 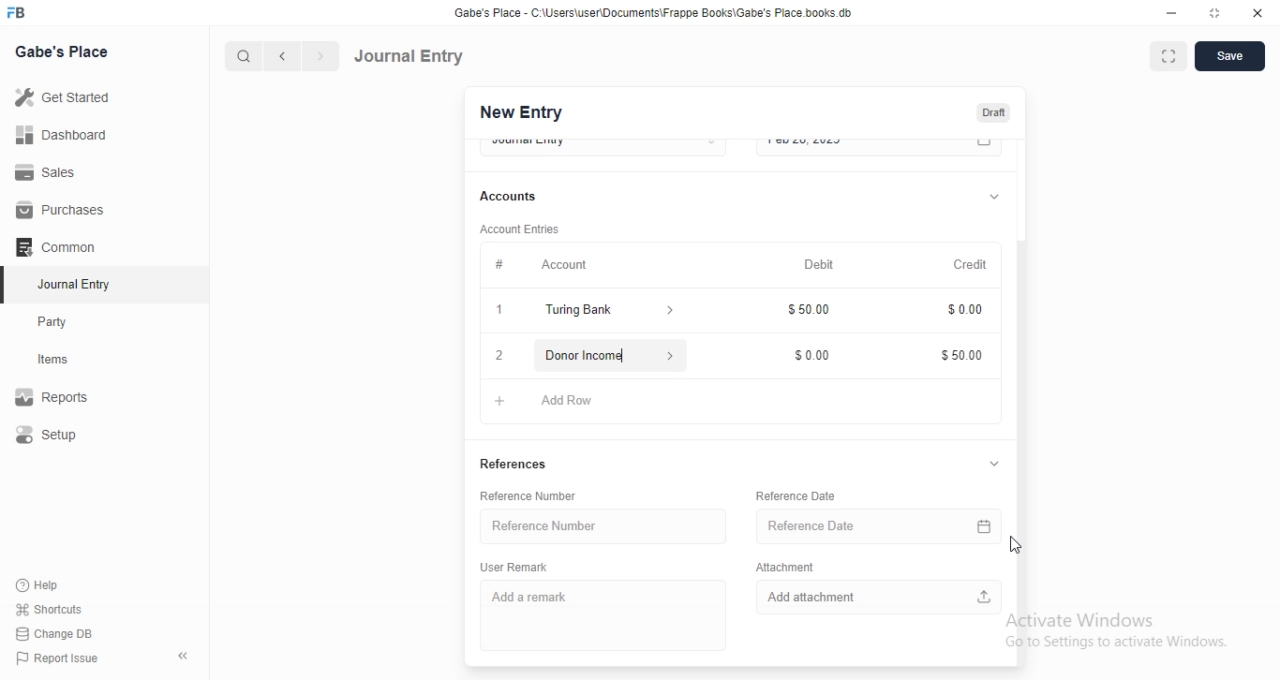 I want to click on Dashboard, so click(x=66, y=134).